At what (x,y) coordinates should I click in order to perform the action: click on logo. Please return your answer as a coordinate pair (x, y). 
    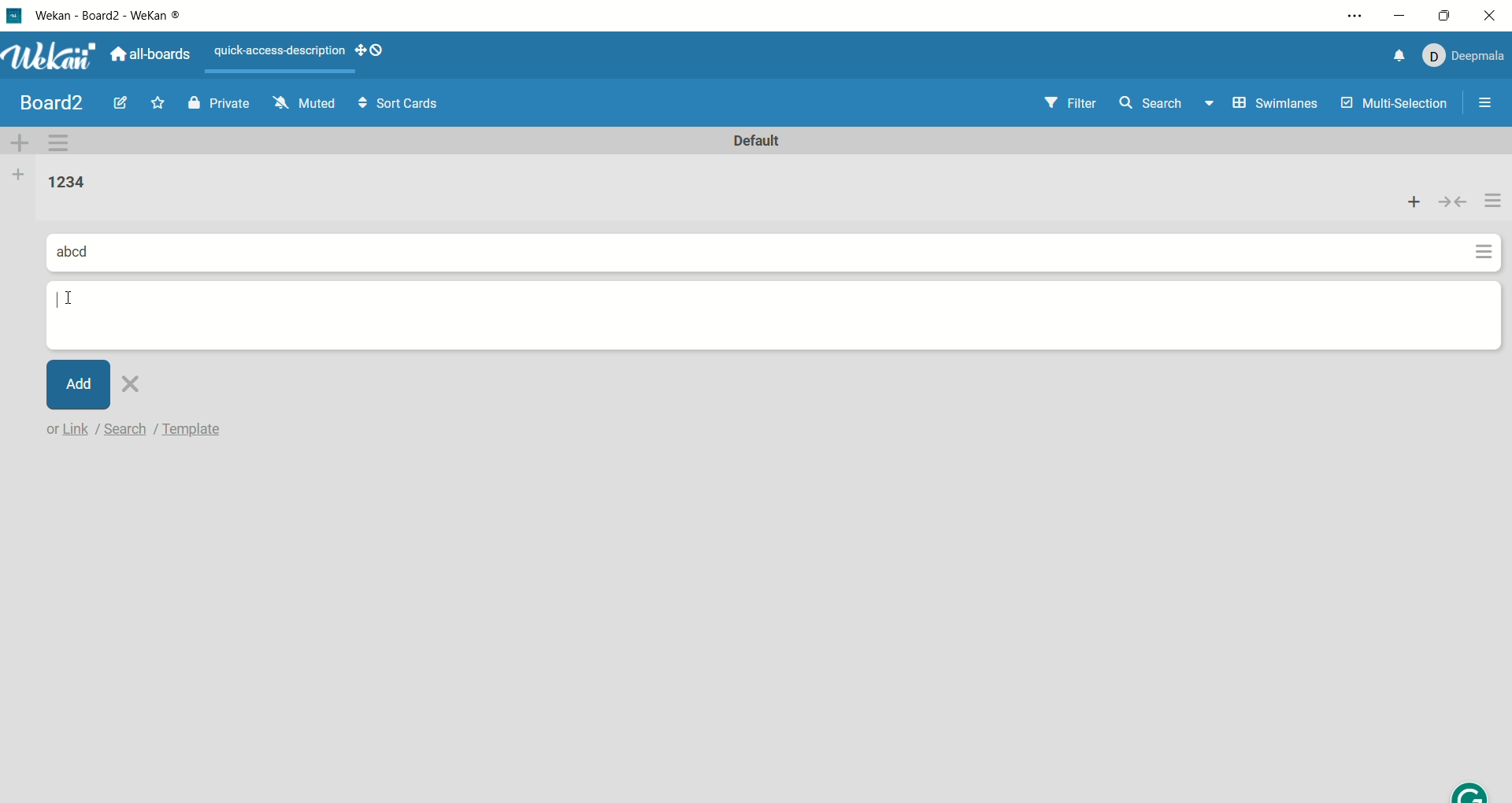
    Looking at the image, I should click on (17, 13).